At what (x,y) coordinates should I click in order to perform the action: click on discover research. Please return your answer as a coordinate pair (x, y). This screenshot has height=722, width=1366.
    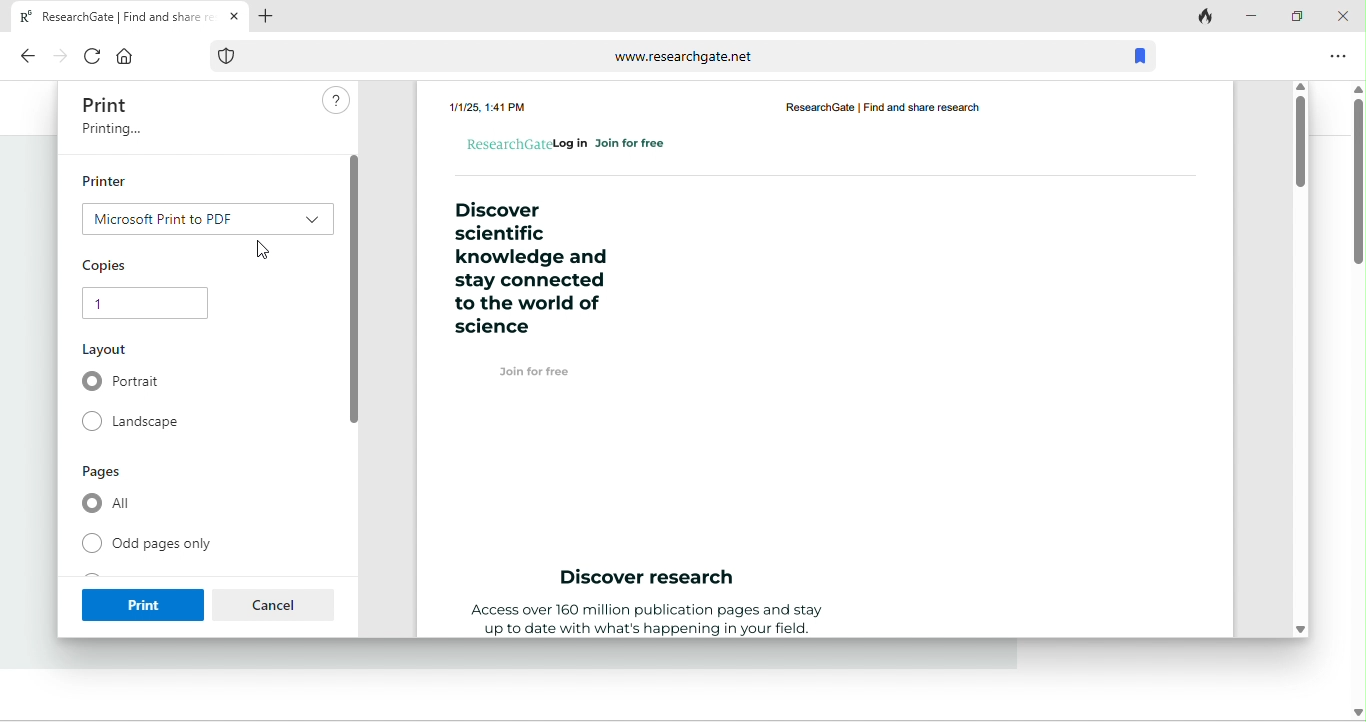
    Looking at the image, I should click on (650, 579).